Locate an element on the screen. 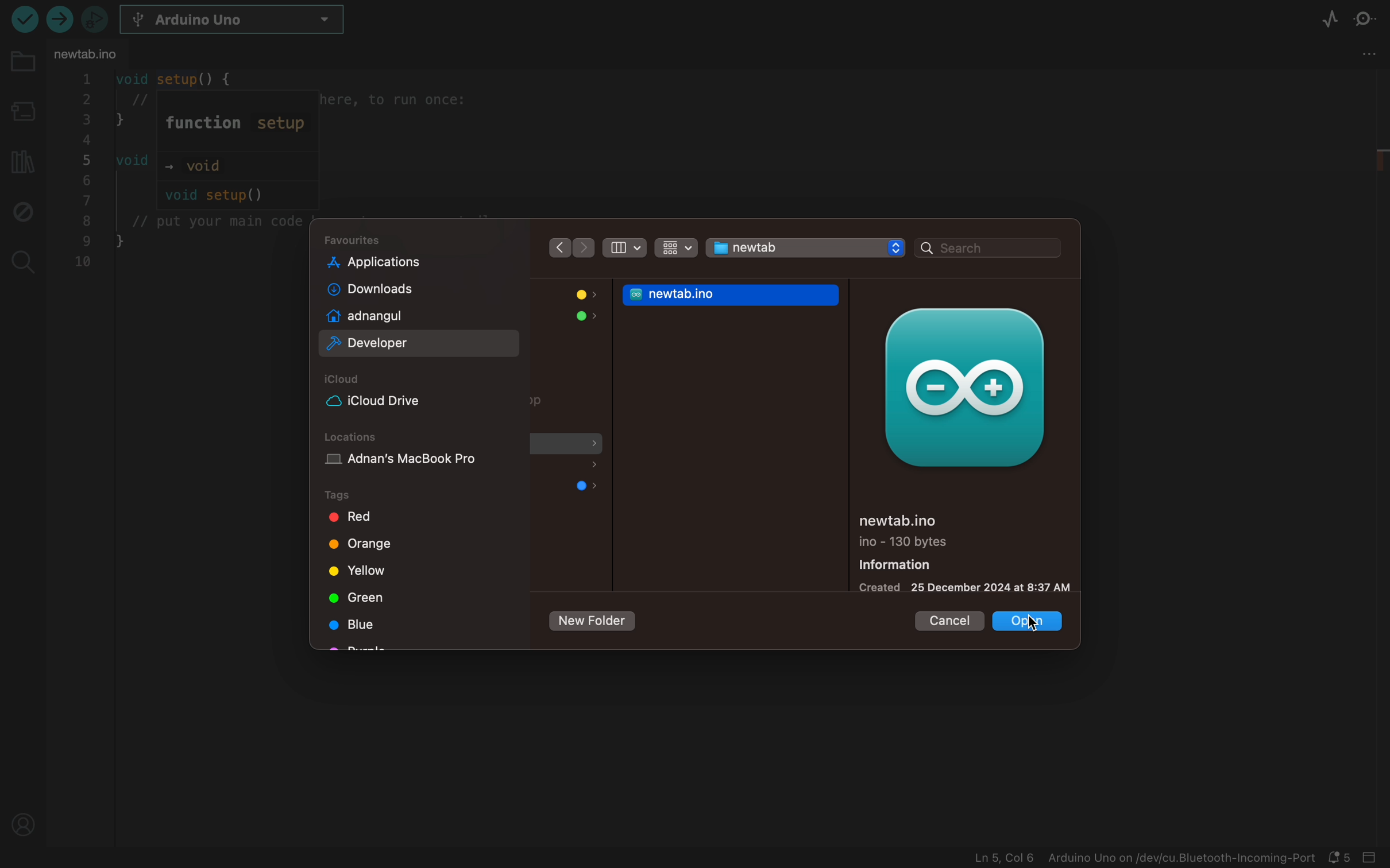 This screenshot has width=1390, height=868. code is located at coordinates (183, 173).